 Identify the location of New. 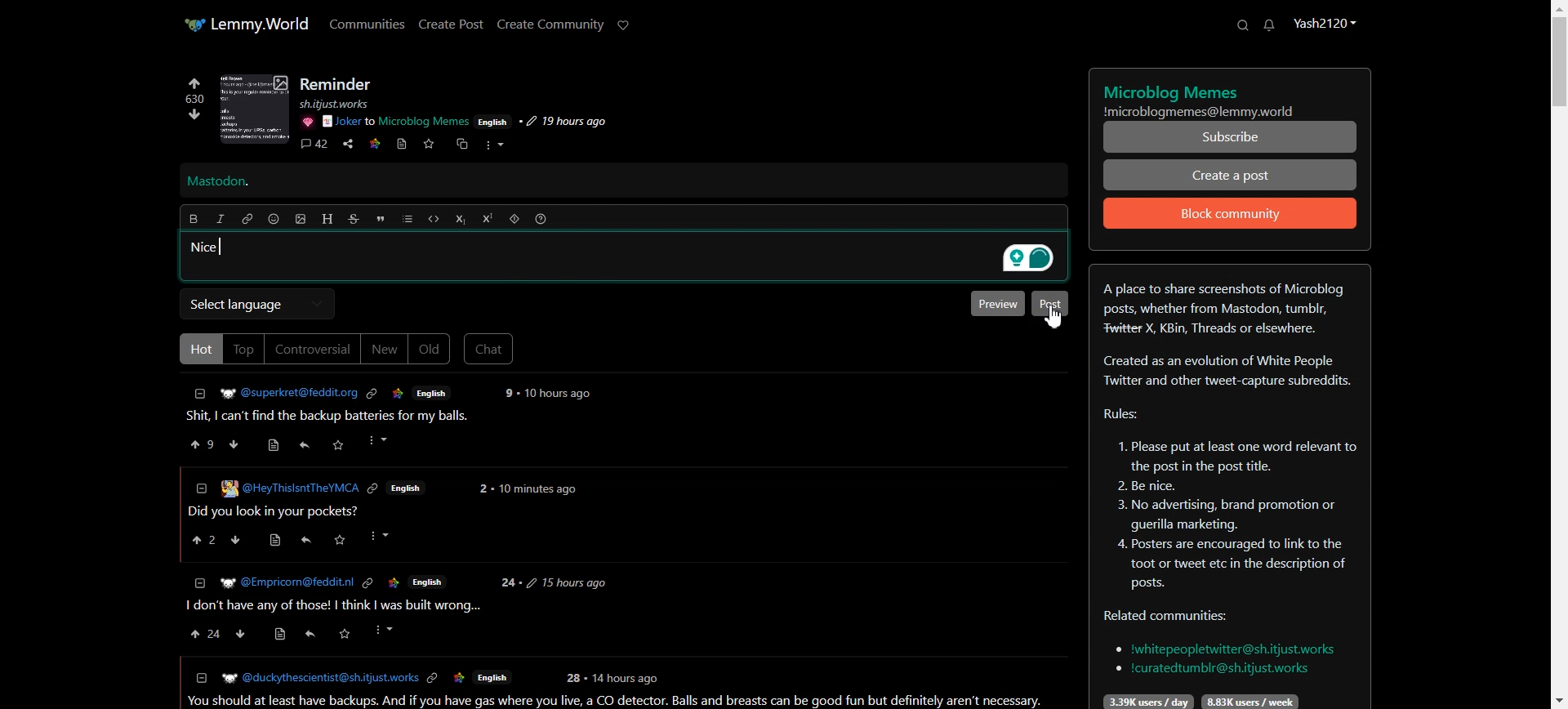
(384, 349).